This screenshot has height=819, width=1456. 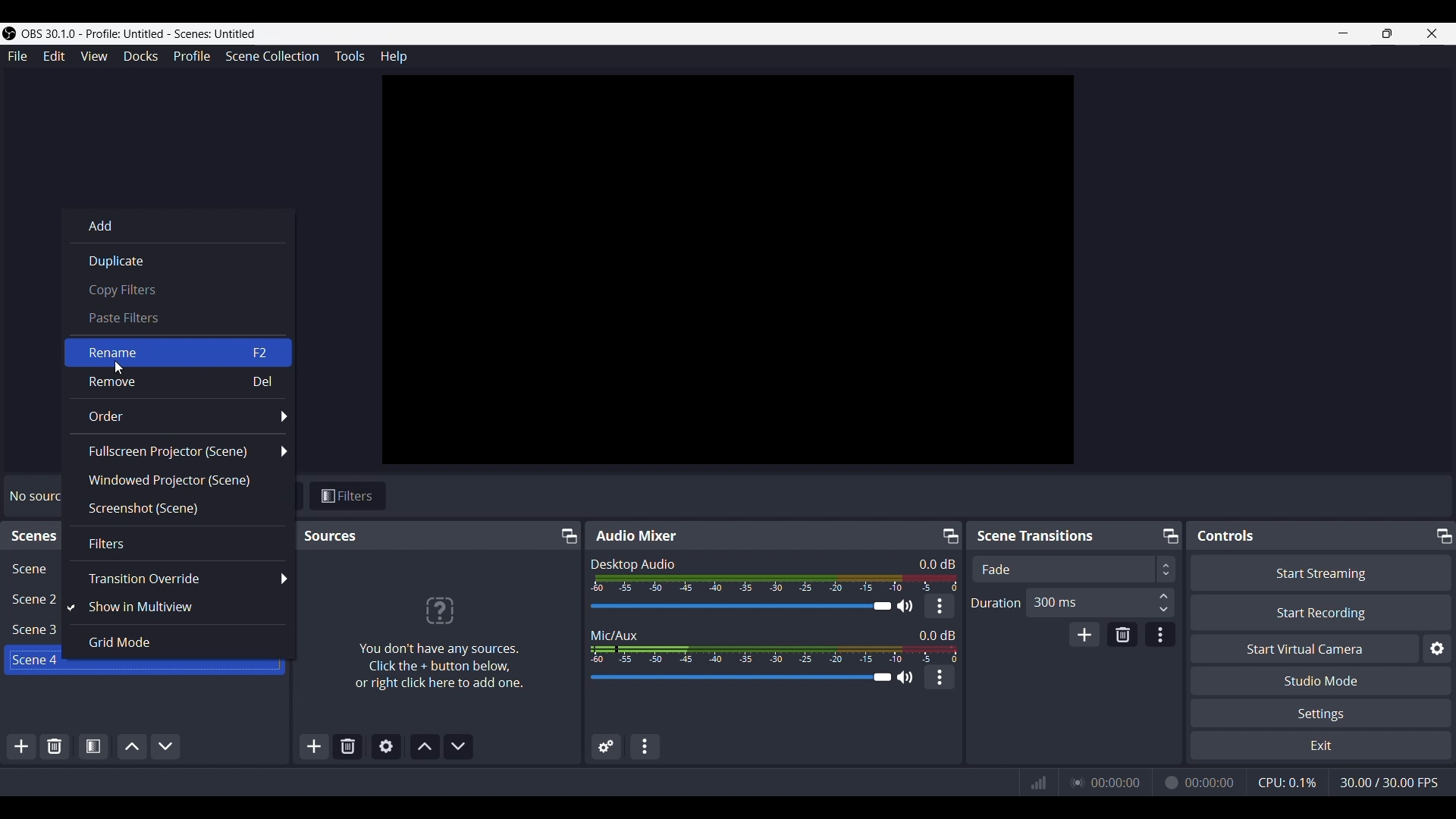 I want to click on kebab menu, so click(x=940, y=677).